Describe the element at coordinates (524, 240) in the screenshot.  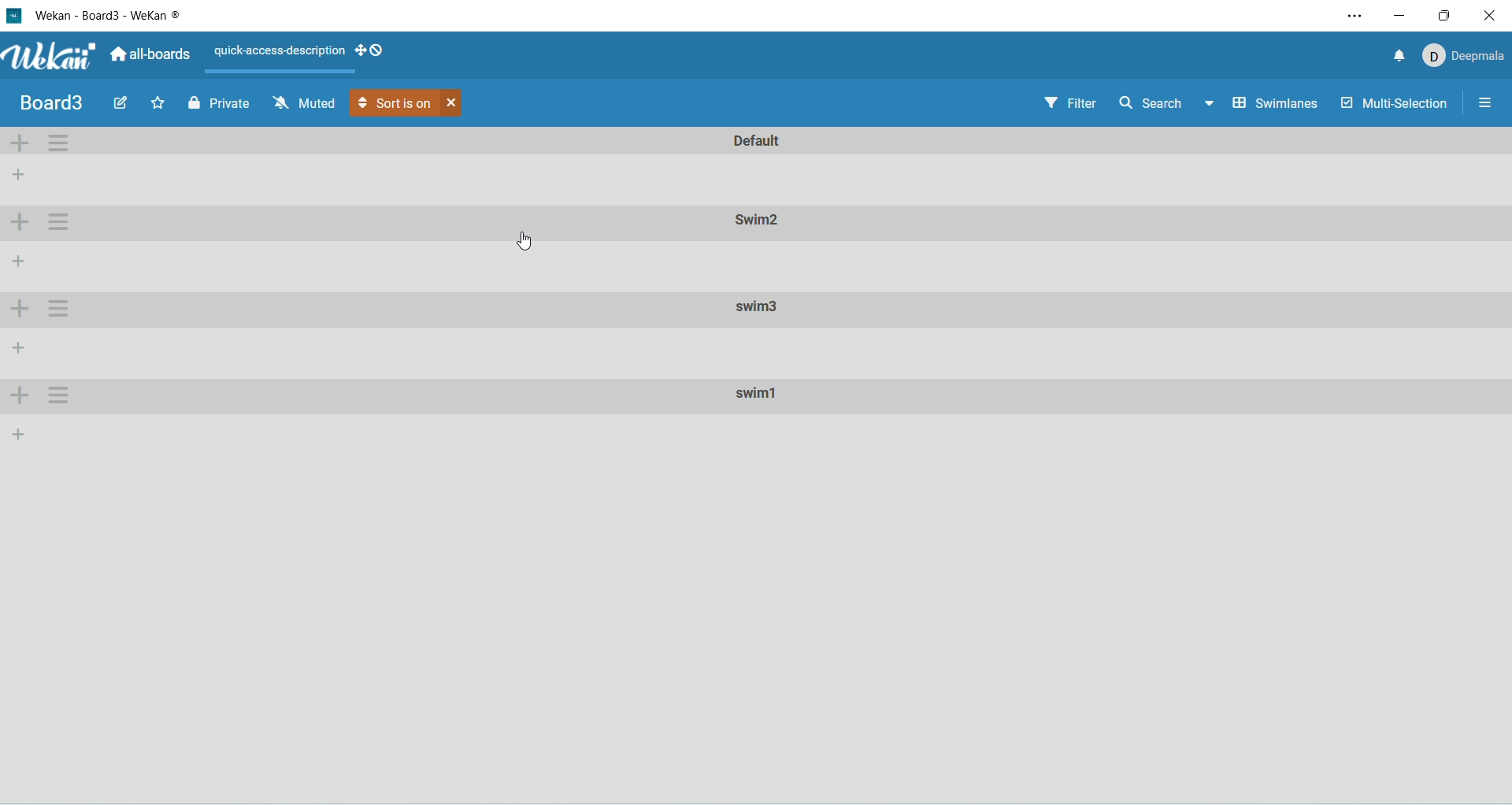
I see `cursor` at that location.